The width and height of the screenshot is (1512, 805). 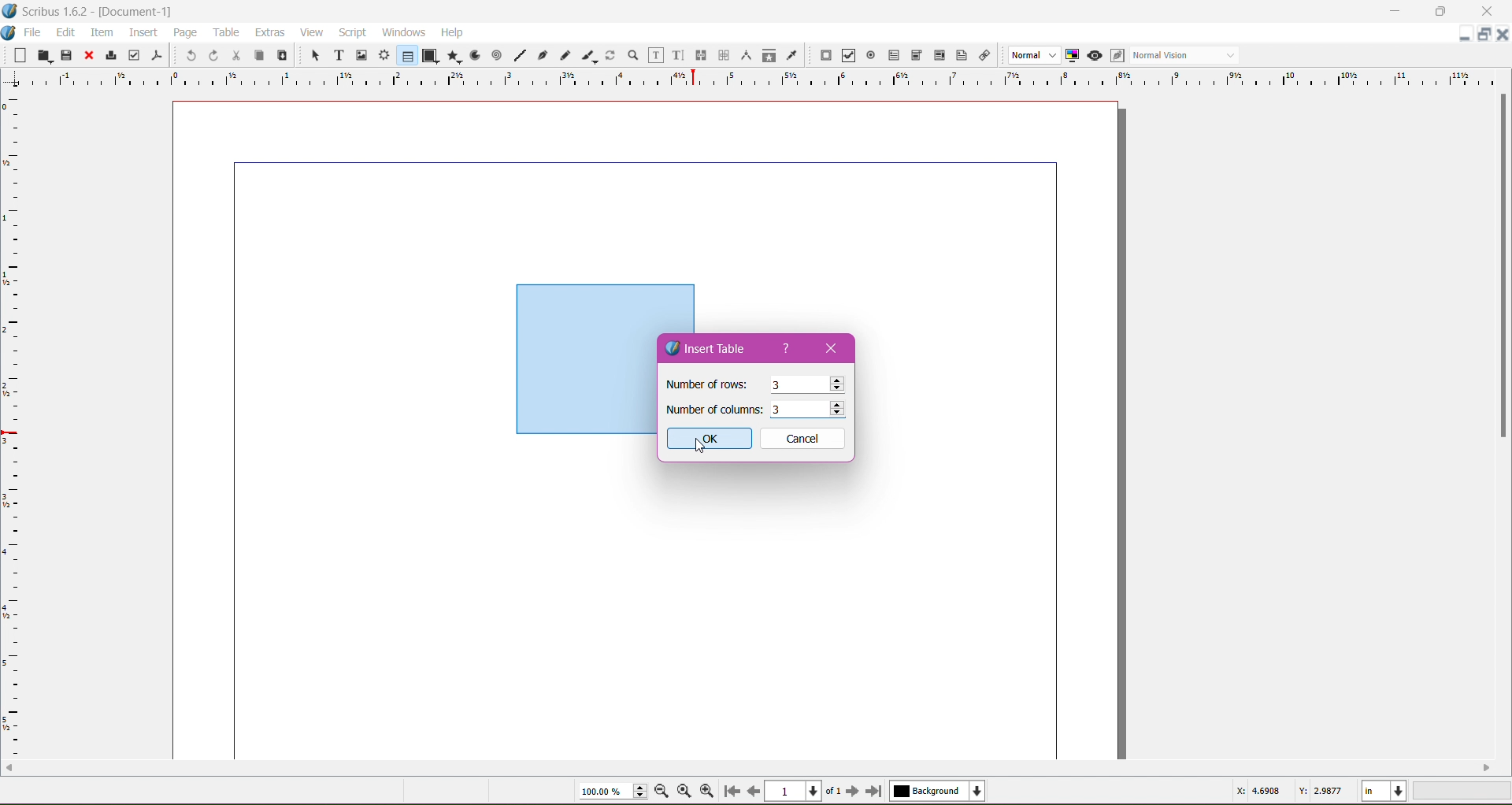 I want to click on Close, so click(x=87, y=56).